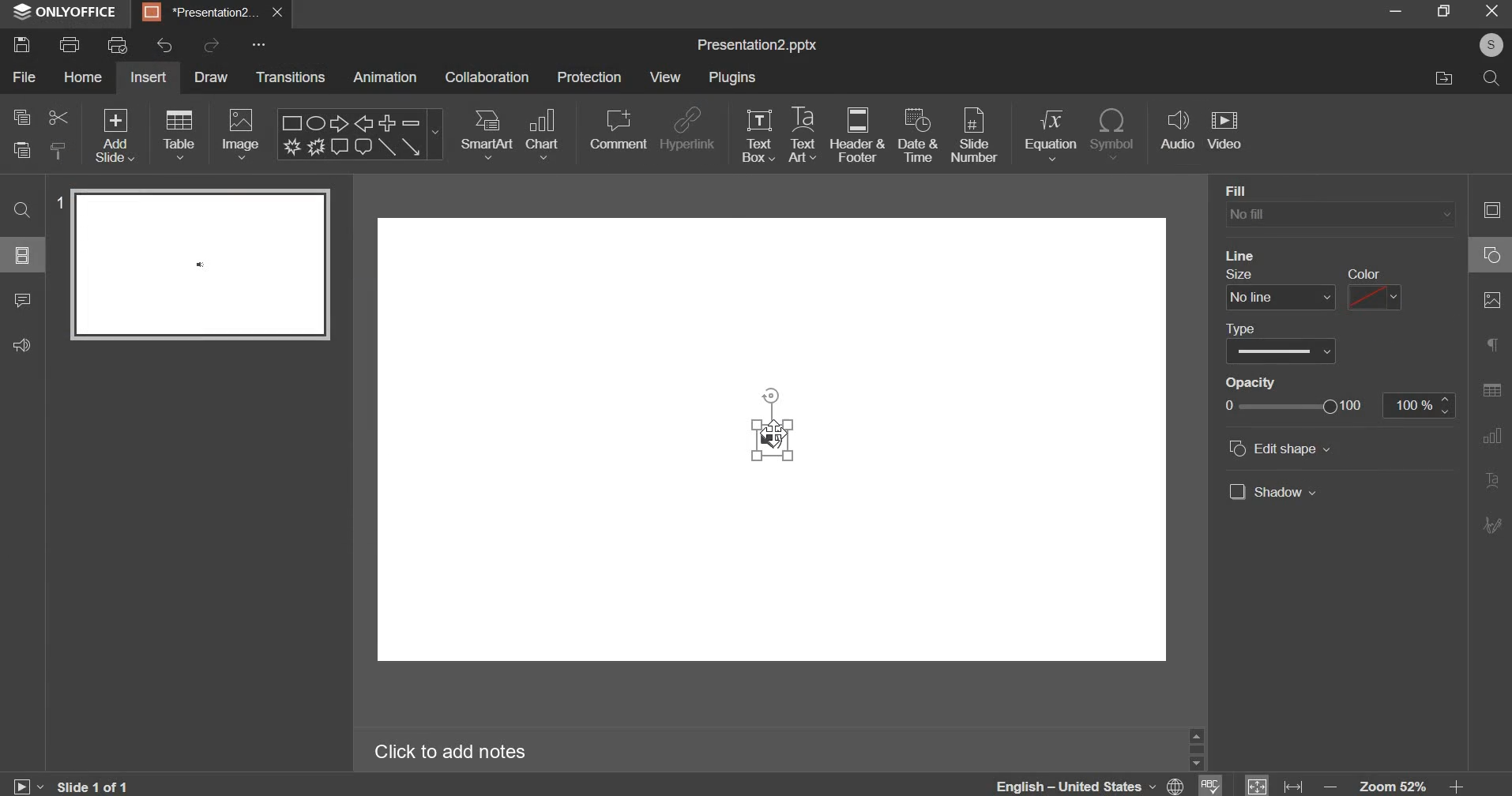  Describe the element at coordinates (1292, 784) in the screenshot. I see `fit to width` at that location.